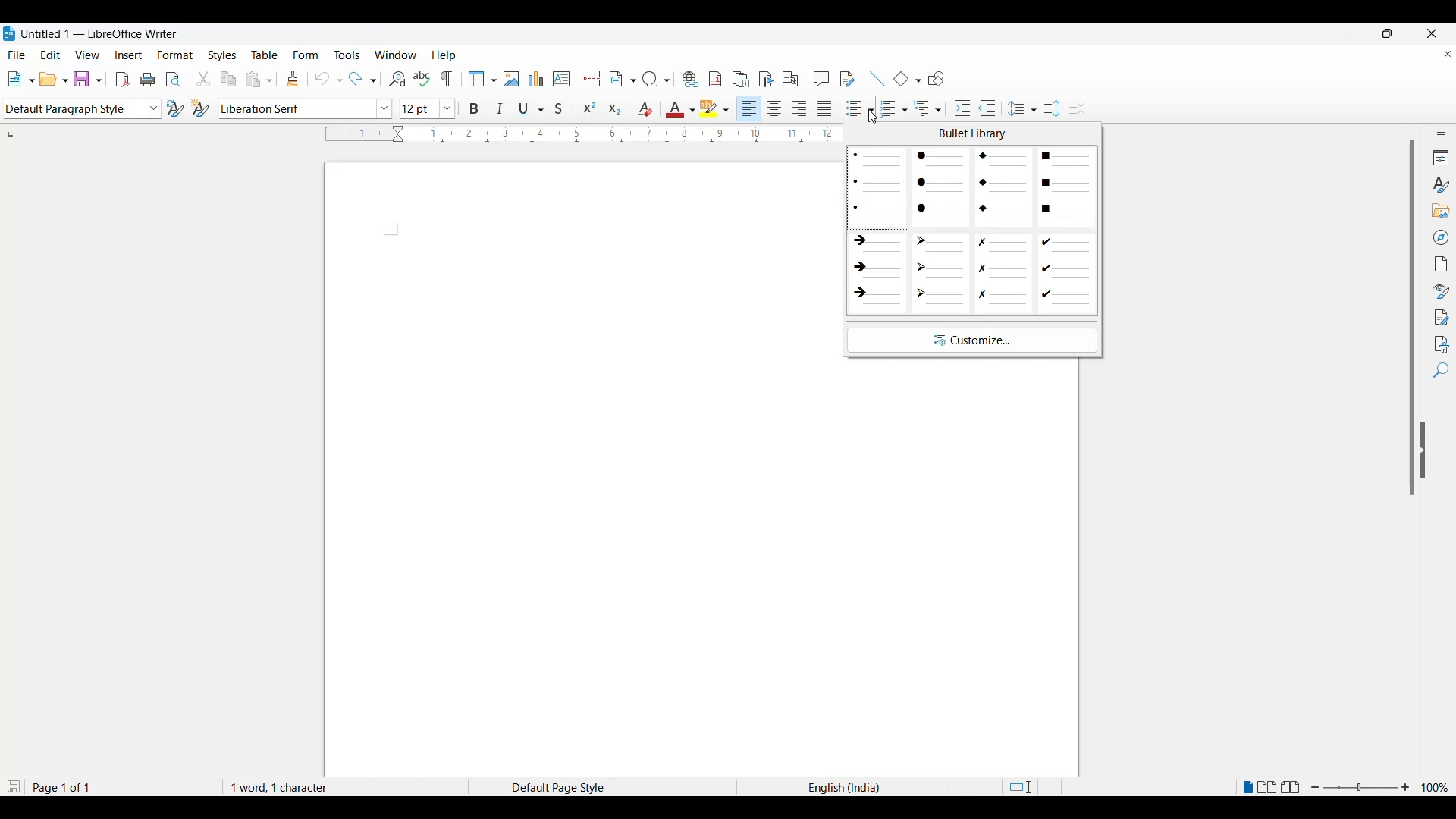  What do you see at coordinates (173, 109) in the screenshot?
I see `update style` at bounding box center [173, 109].